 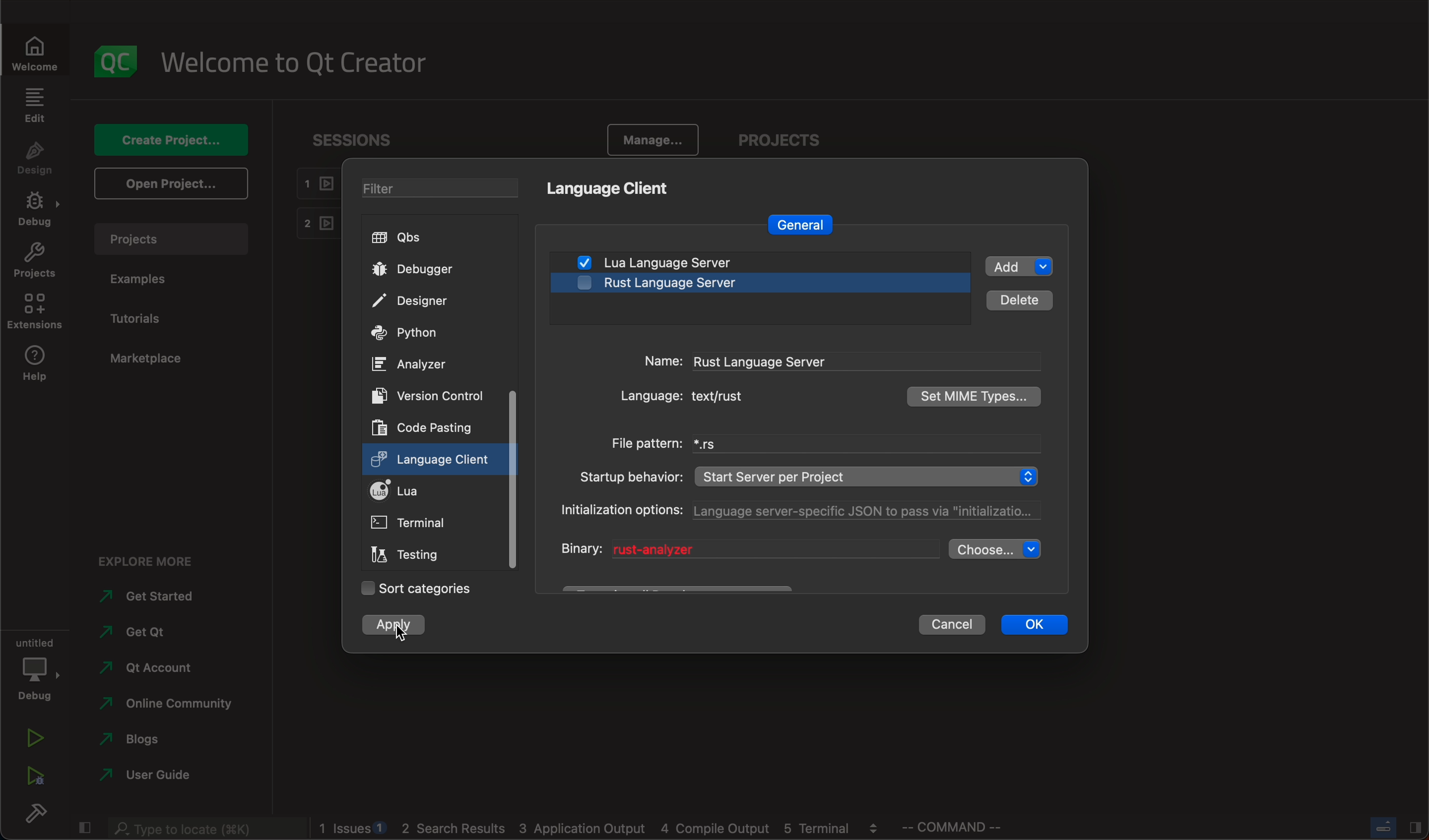 I want to click on options, so click(x=807, y=512).